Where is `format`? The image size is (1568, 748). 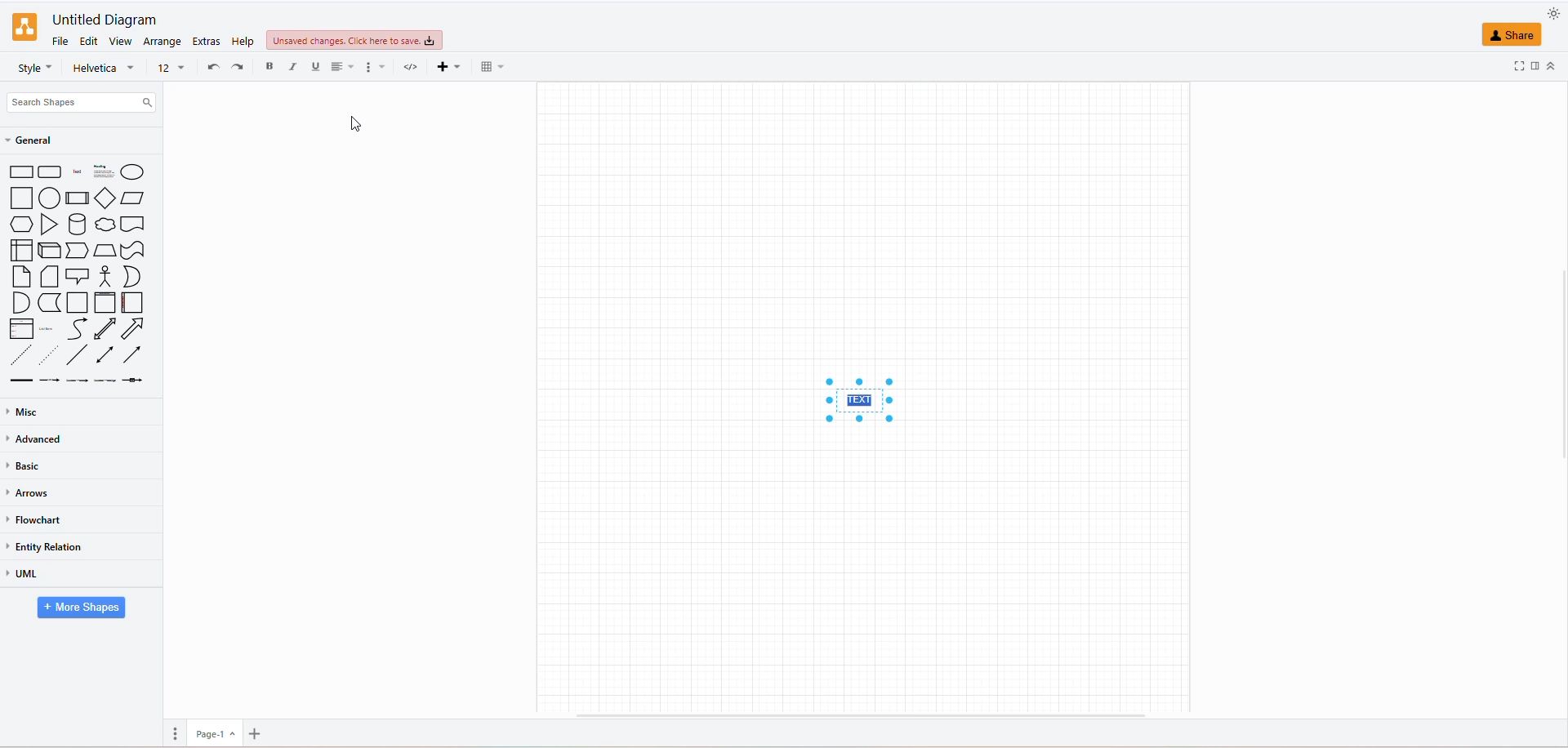
format is located at coordinates (374, 69).